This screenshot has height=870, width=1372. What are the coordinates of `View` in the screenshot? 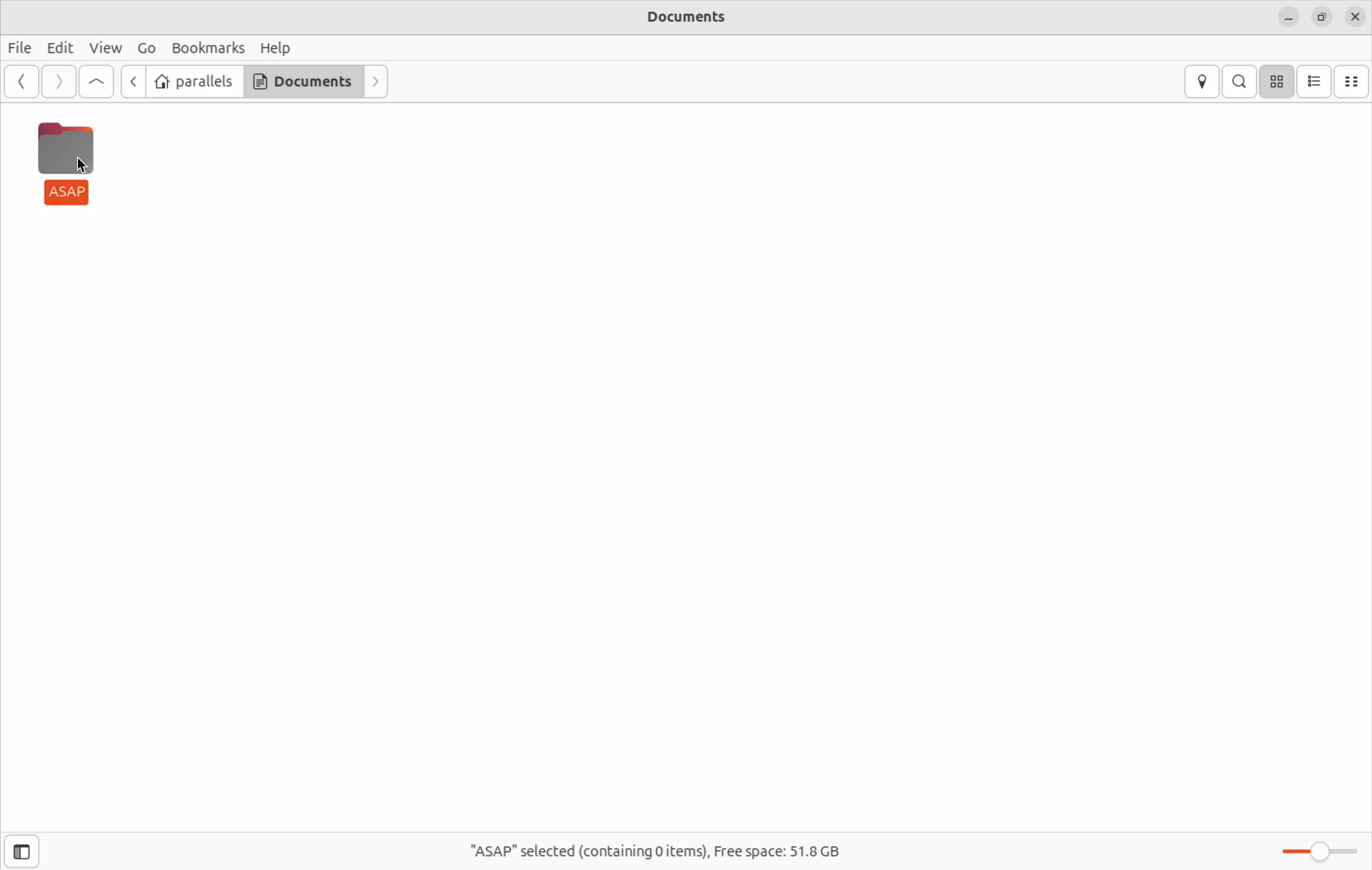 It's located at (104, 49).